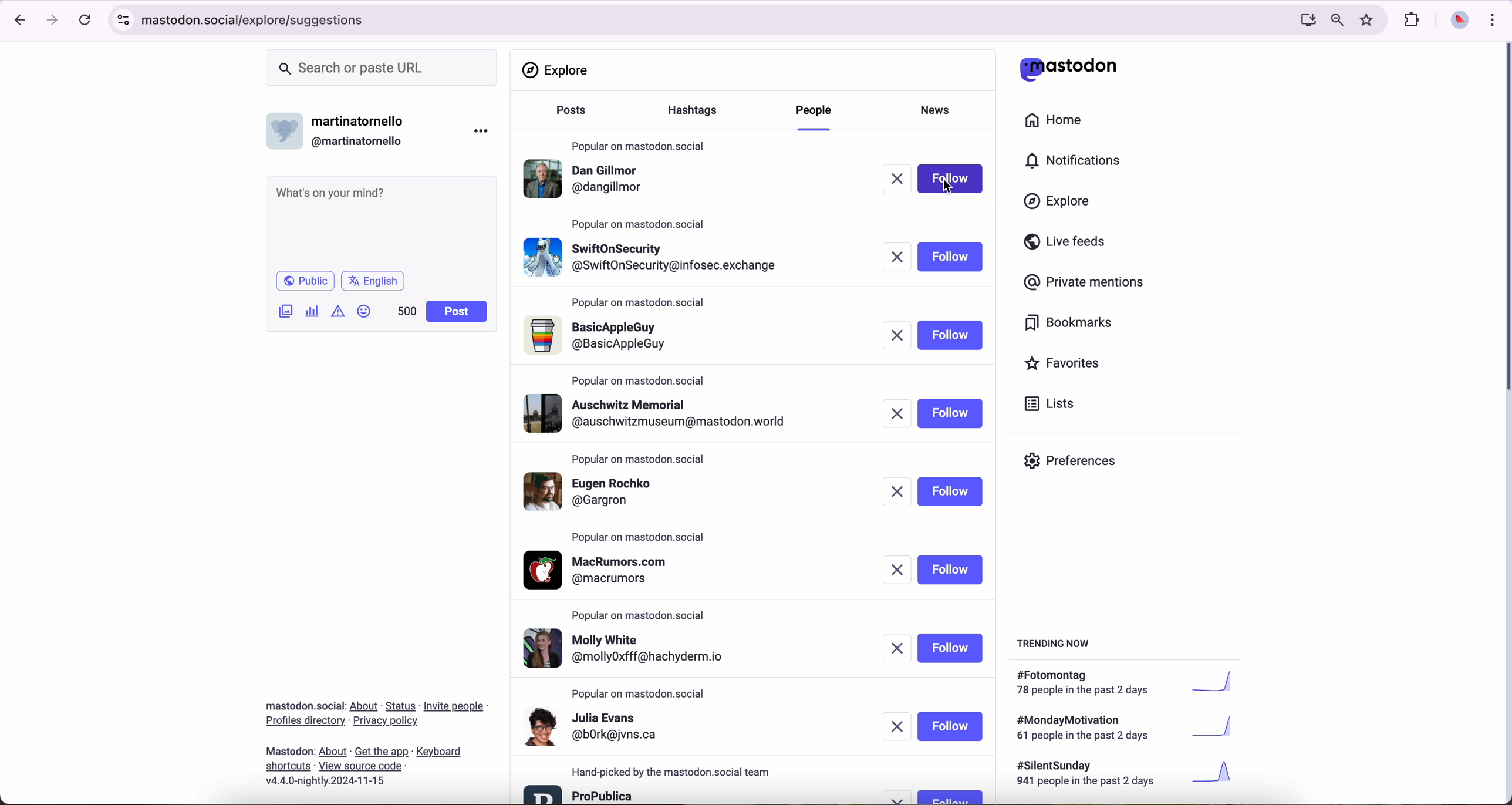 The image size is (1512, 805). Describe the element at coordinates (1055, 642) in the screenshot. I see `trending now` at that location.